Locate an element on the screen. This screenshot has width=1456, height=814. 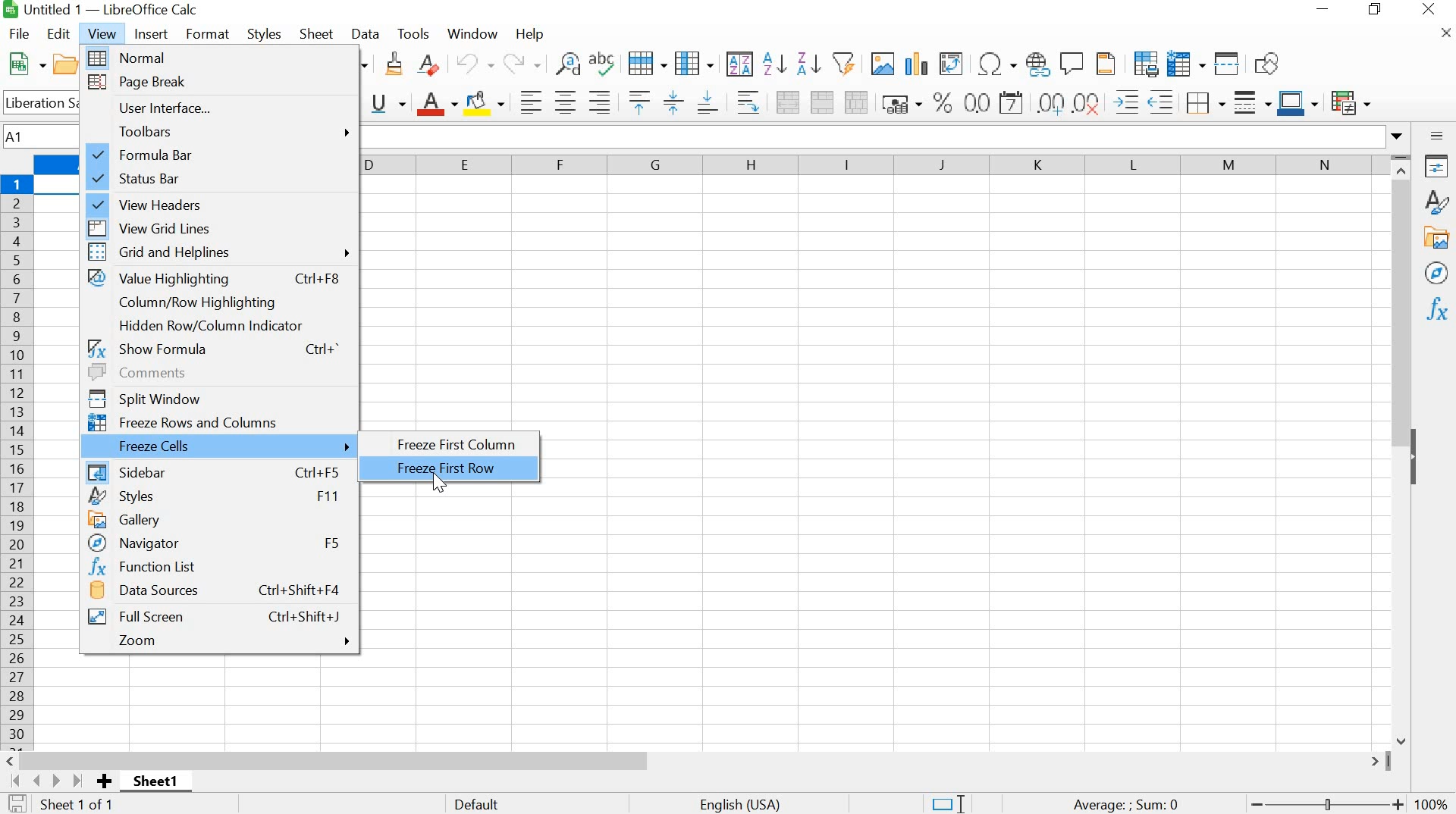
MERGE OR UNMERGE CELLS is located at coordinates (822, 102).